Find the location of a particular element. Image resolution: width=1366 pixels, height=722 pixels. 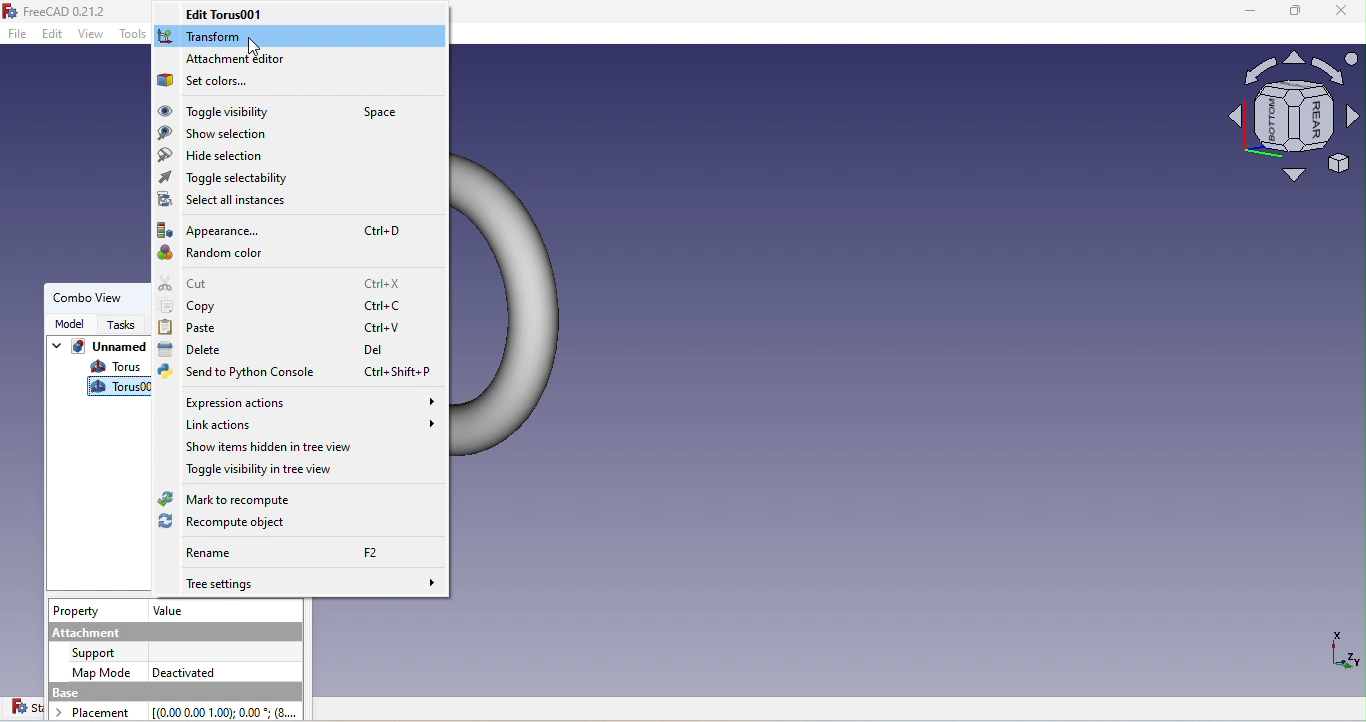

Tools is located at coordinates (134, 38).